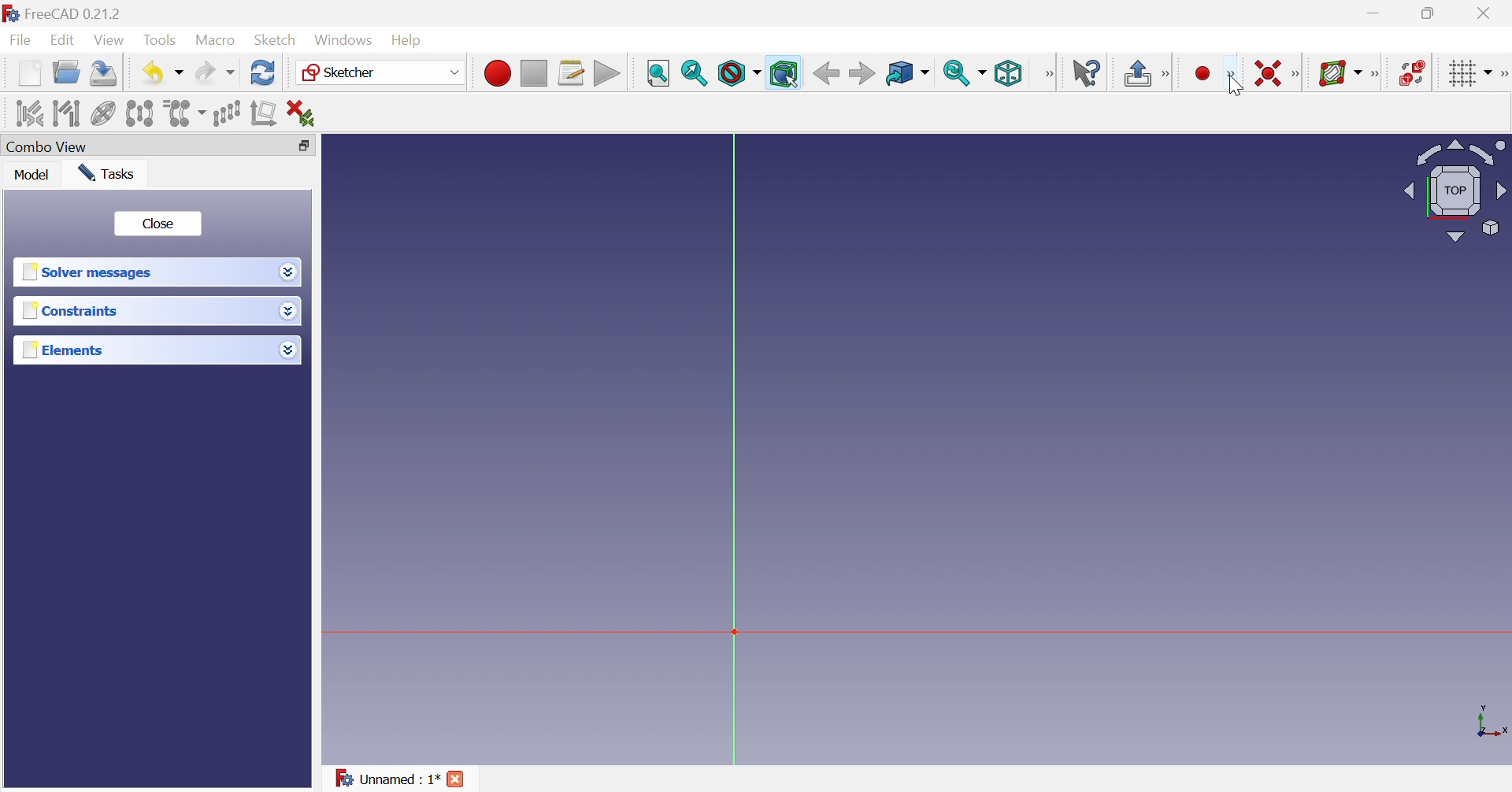 The image size is (1512, 792). What do you see at coordinates (1379, 12) in the screenshot?
I see `Minimize` at bounding box center [1379, 12].